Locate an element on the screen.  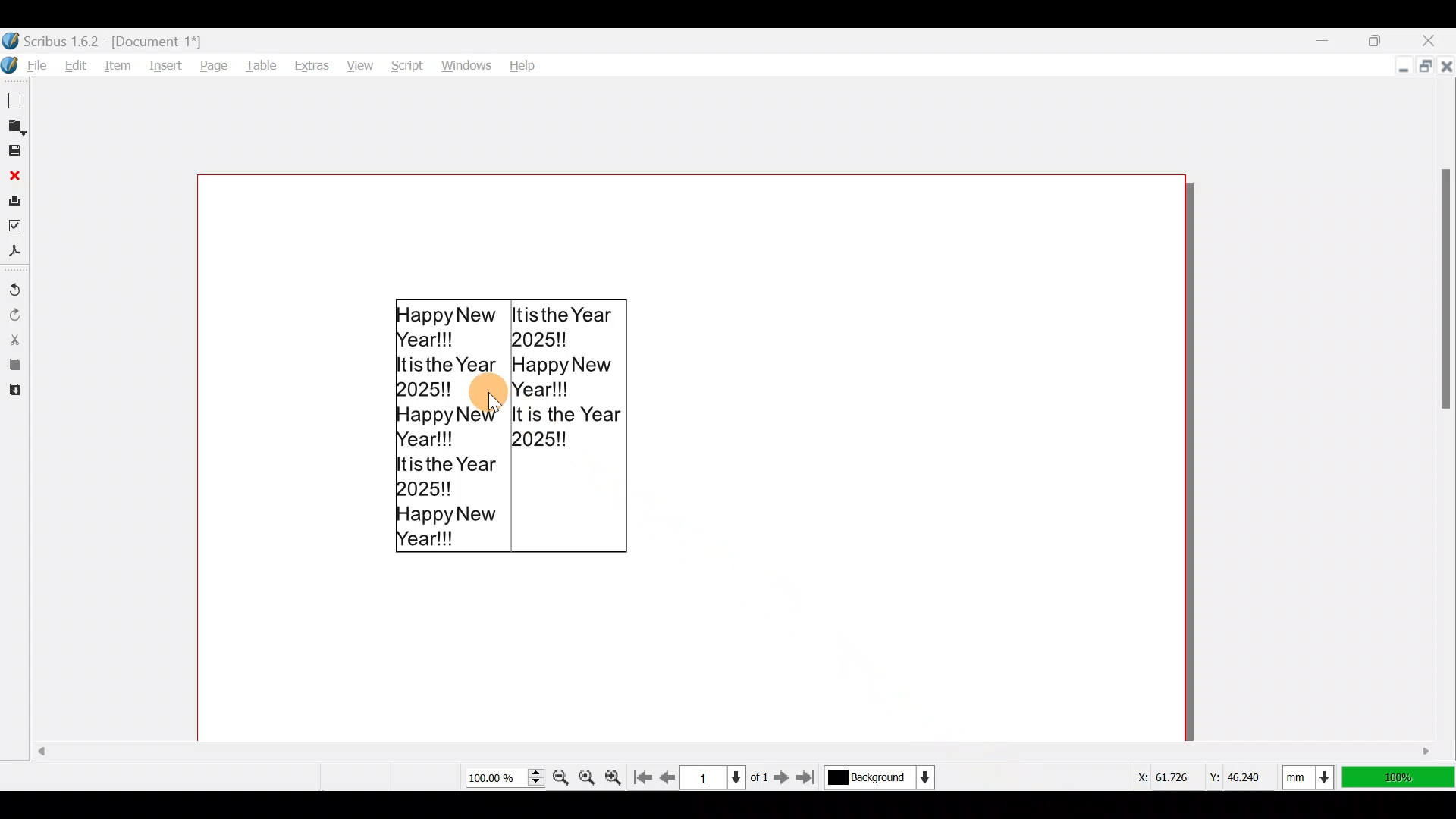
Happy New Year is located at coordinates (509, 426).